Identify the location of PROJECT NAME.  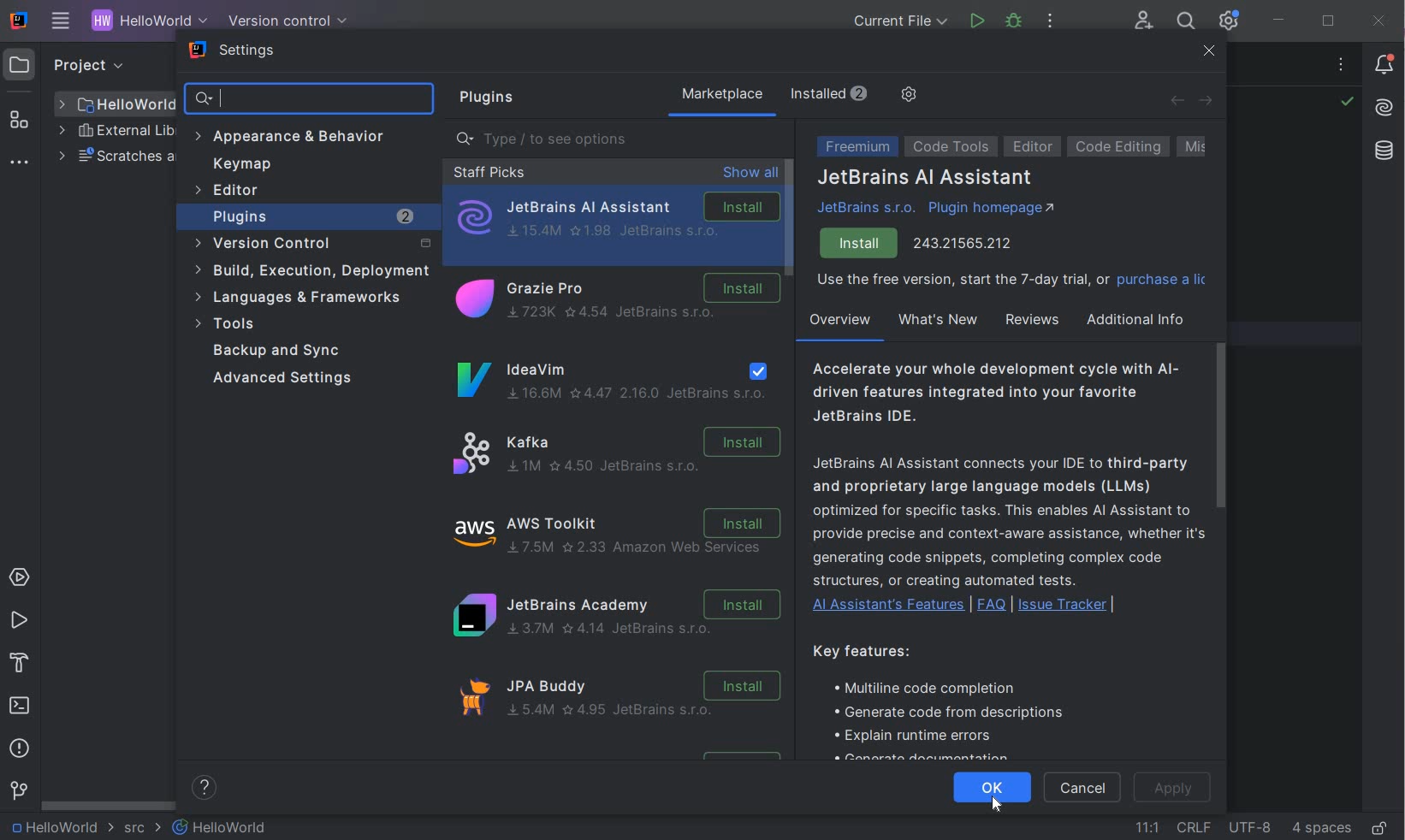
(60, 828).